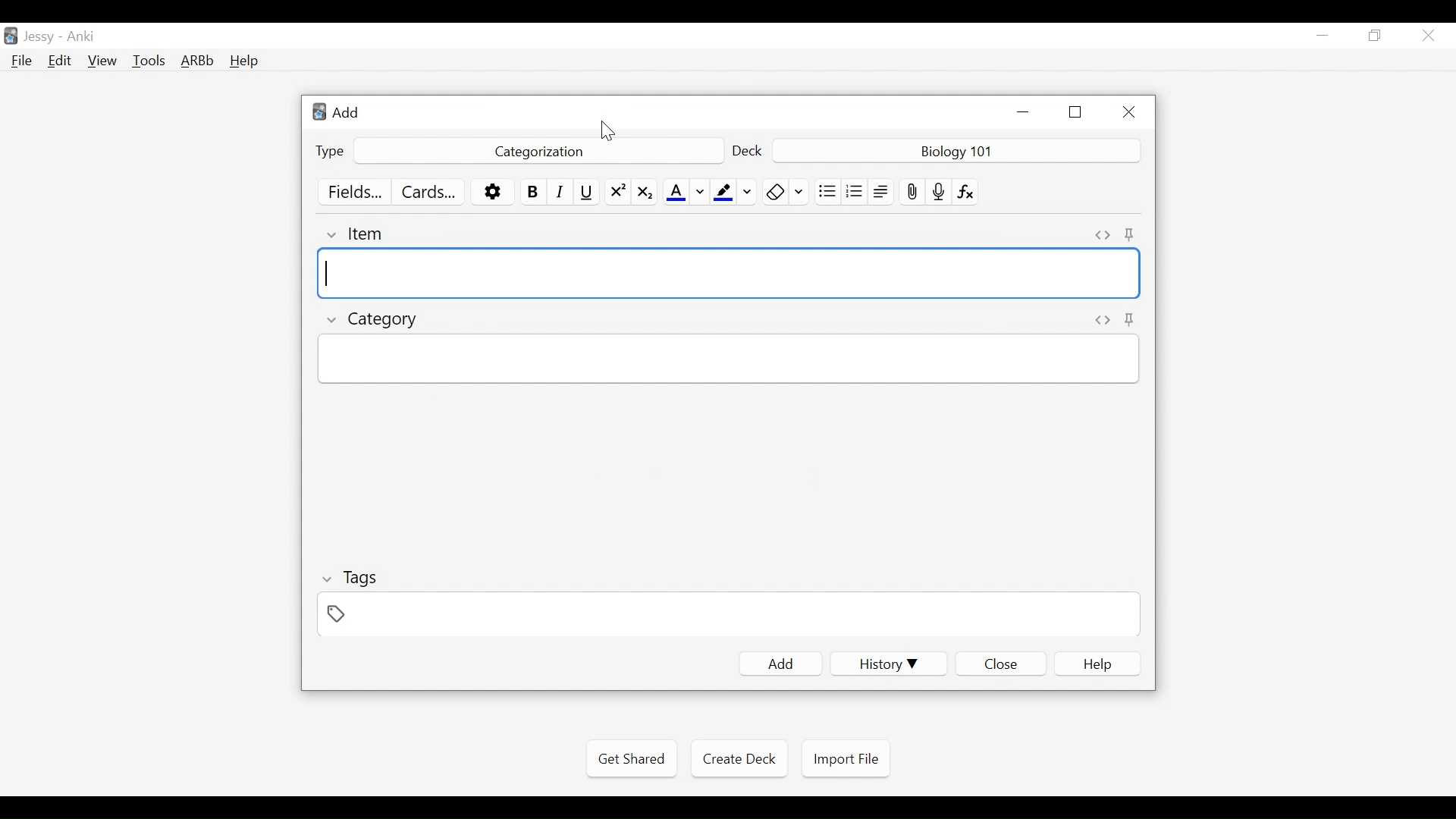  Describe the element at coordinates (1131, 236) in the screenshot. I see `Toggle Sticky` at that location.